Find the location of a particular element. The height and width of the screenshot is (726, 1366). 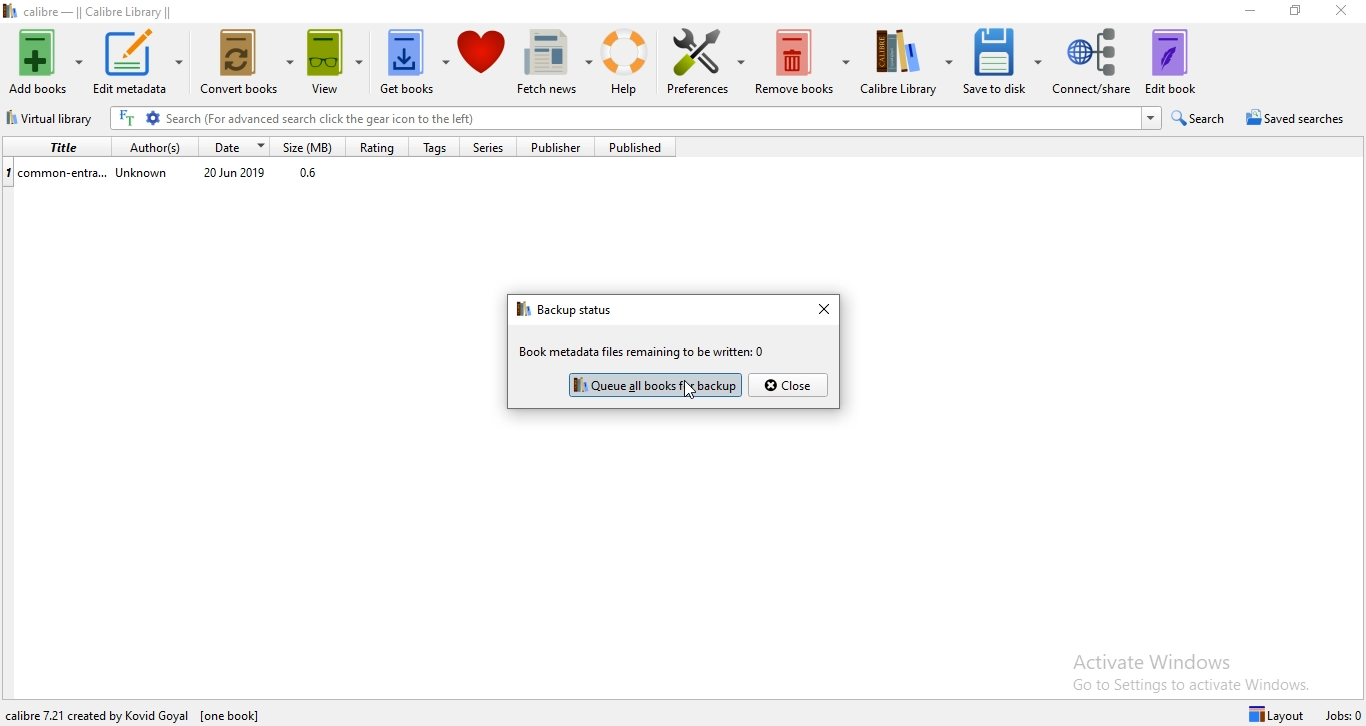

Help is located at coordinates (630, 63).